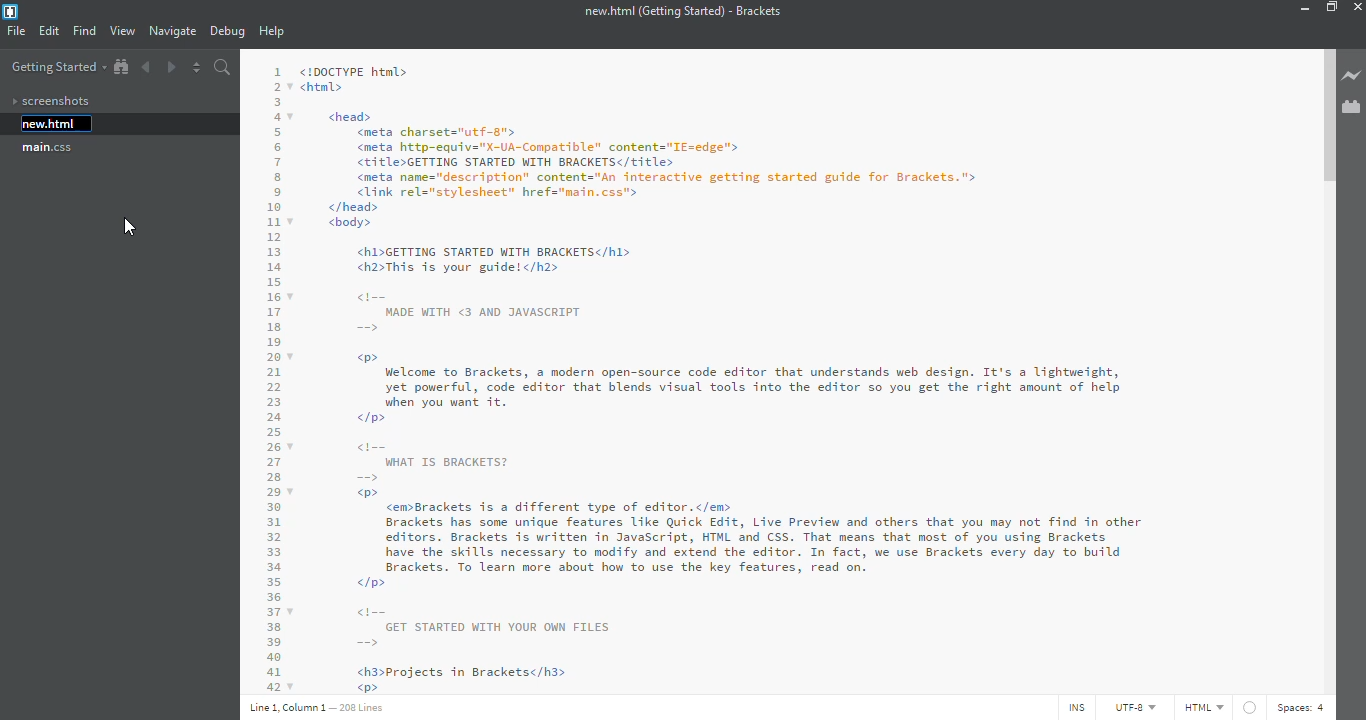 Image resolution: width=1366 pixels, height=720 pixels. What do you see at coordinates (170, 65) in the screenshot?
I see `next` at bounding box center [170, 65].